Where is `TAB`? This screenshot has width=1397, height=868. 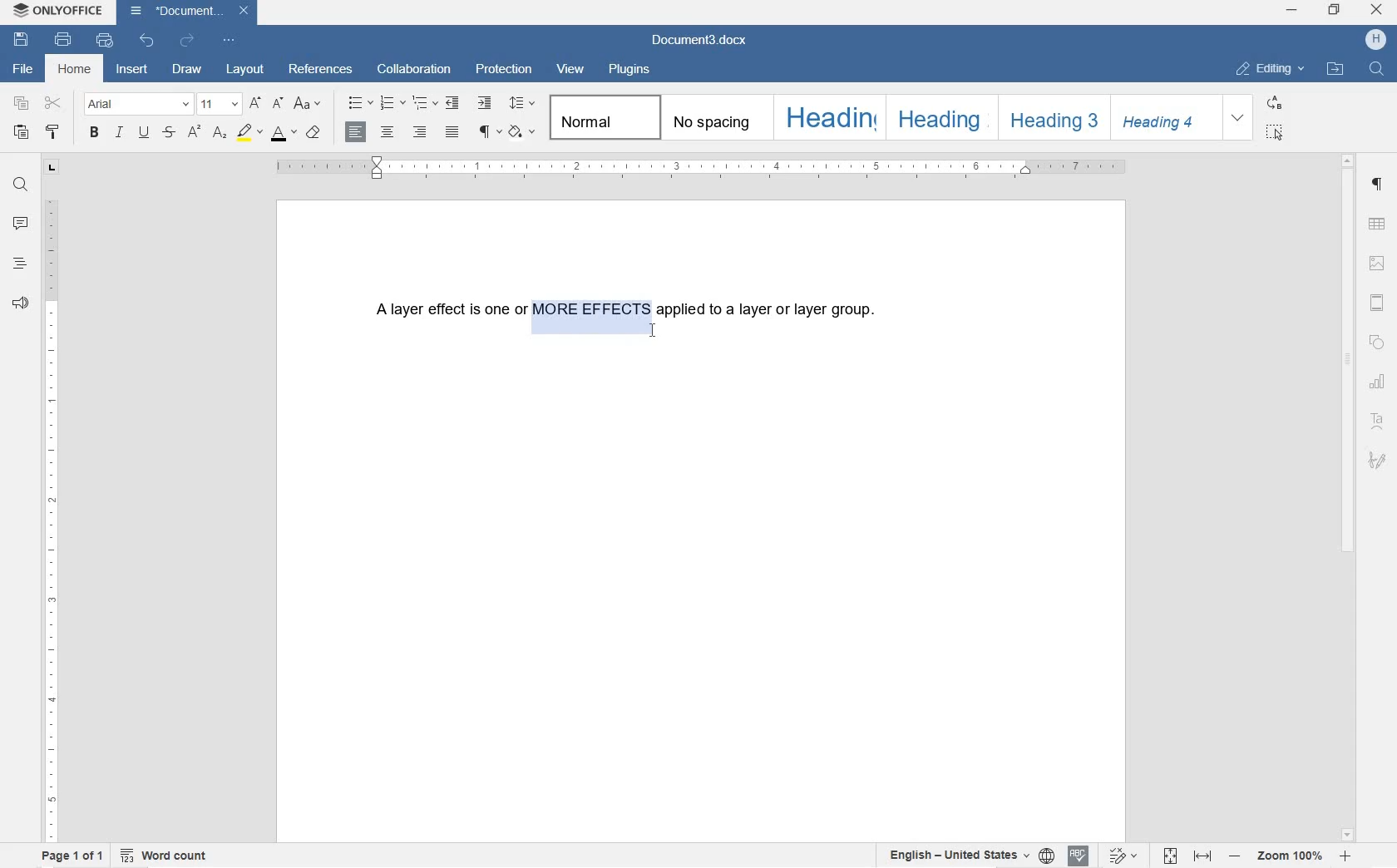 TAB is located at coordinates (51, 167).